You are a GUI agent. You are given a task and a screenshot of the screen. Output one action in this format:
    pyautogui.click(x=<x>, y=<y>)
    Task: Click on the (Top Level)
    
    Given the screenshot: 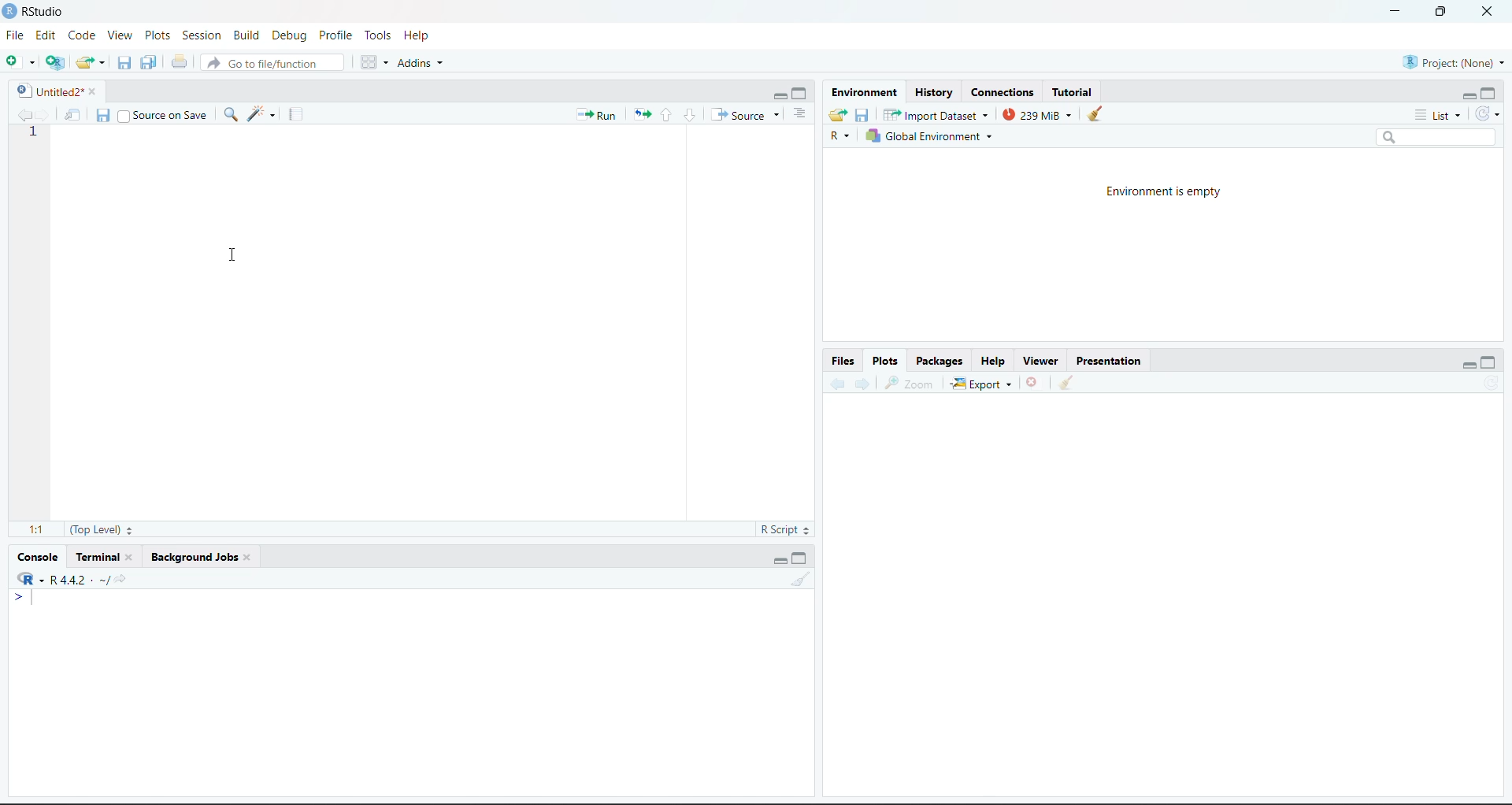 What is the action you would take?
    pyautogui.click(x=103, y=529)
    